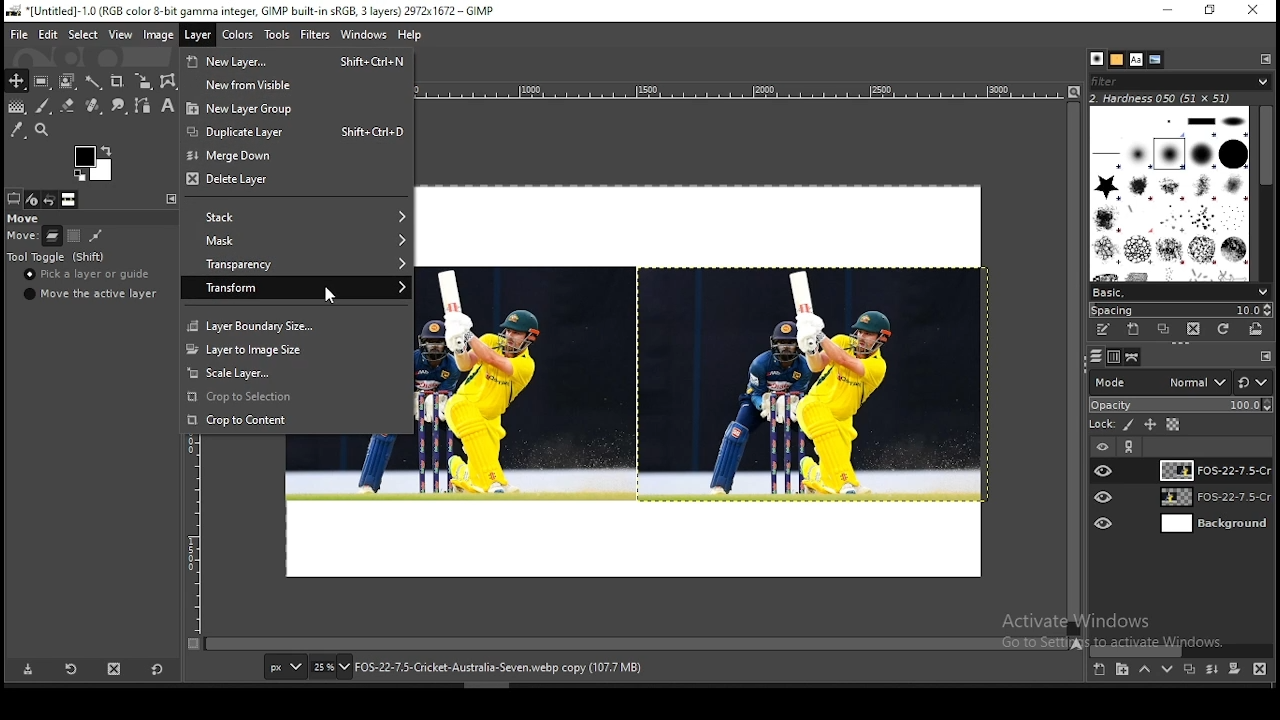  I want to click on layer visibility on/off, so click(1104, 470).